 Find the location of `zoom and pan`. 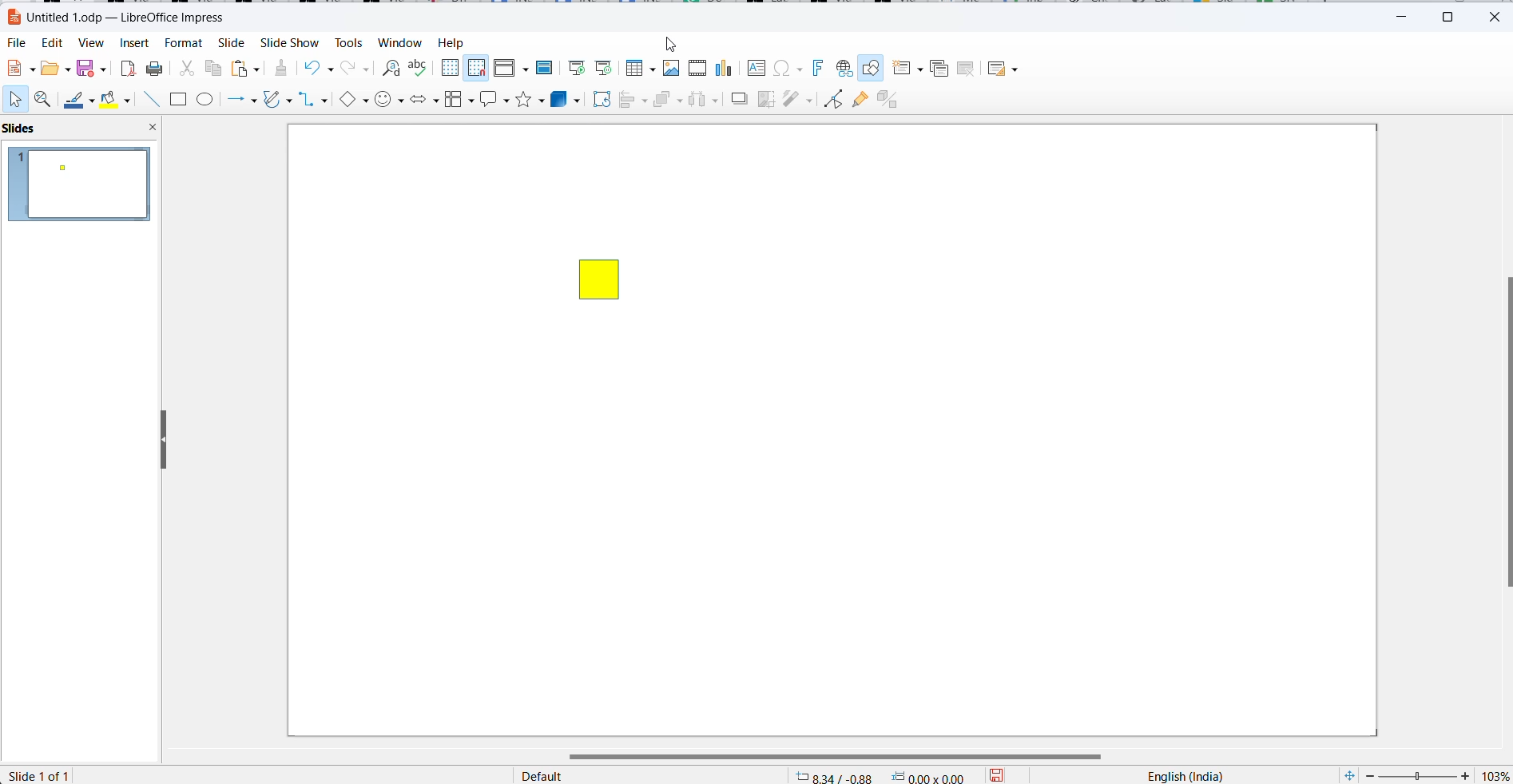

zoom and pan is located at coordinates (45, 101).